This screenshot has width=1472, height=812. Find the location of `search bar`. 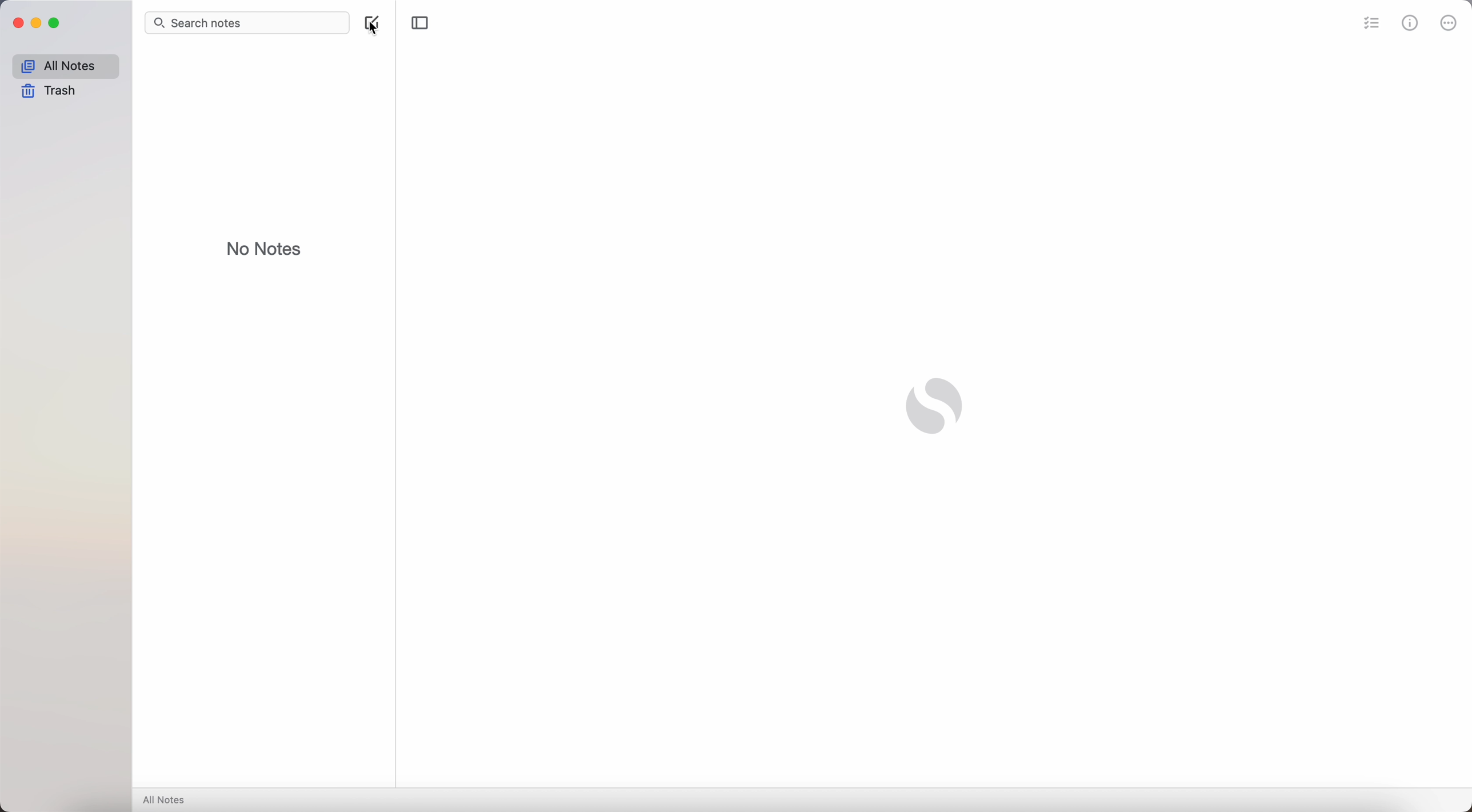

search bar is located at coordinates (246, 22).